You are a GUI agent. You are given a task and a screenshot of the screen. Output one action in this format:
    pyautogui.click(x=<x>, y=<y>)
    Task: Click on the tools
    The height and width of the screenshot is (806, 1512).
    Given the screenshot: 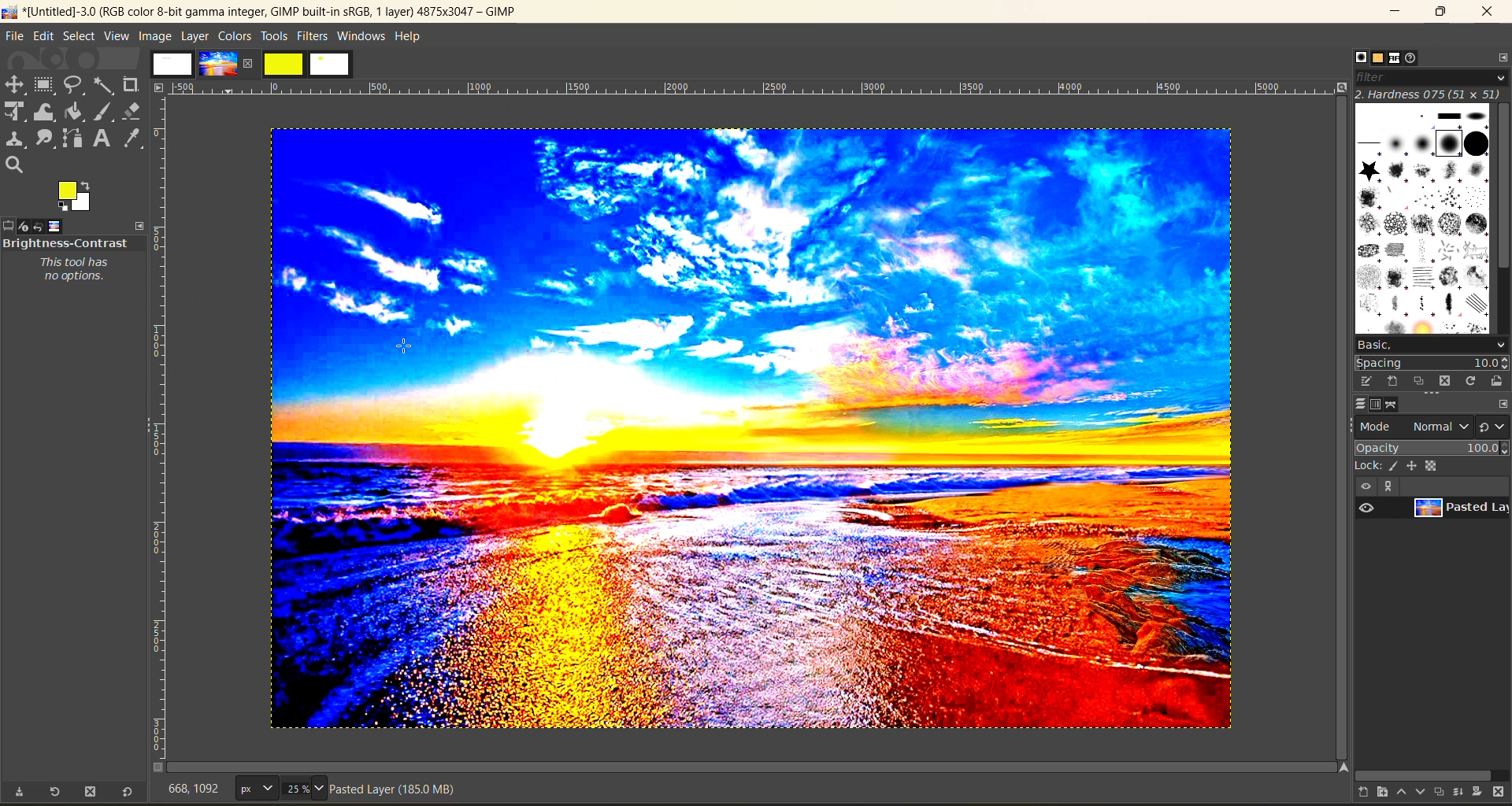 What is the action you would take?
    pyautogui.click(x=79, y=127)
    